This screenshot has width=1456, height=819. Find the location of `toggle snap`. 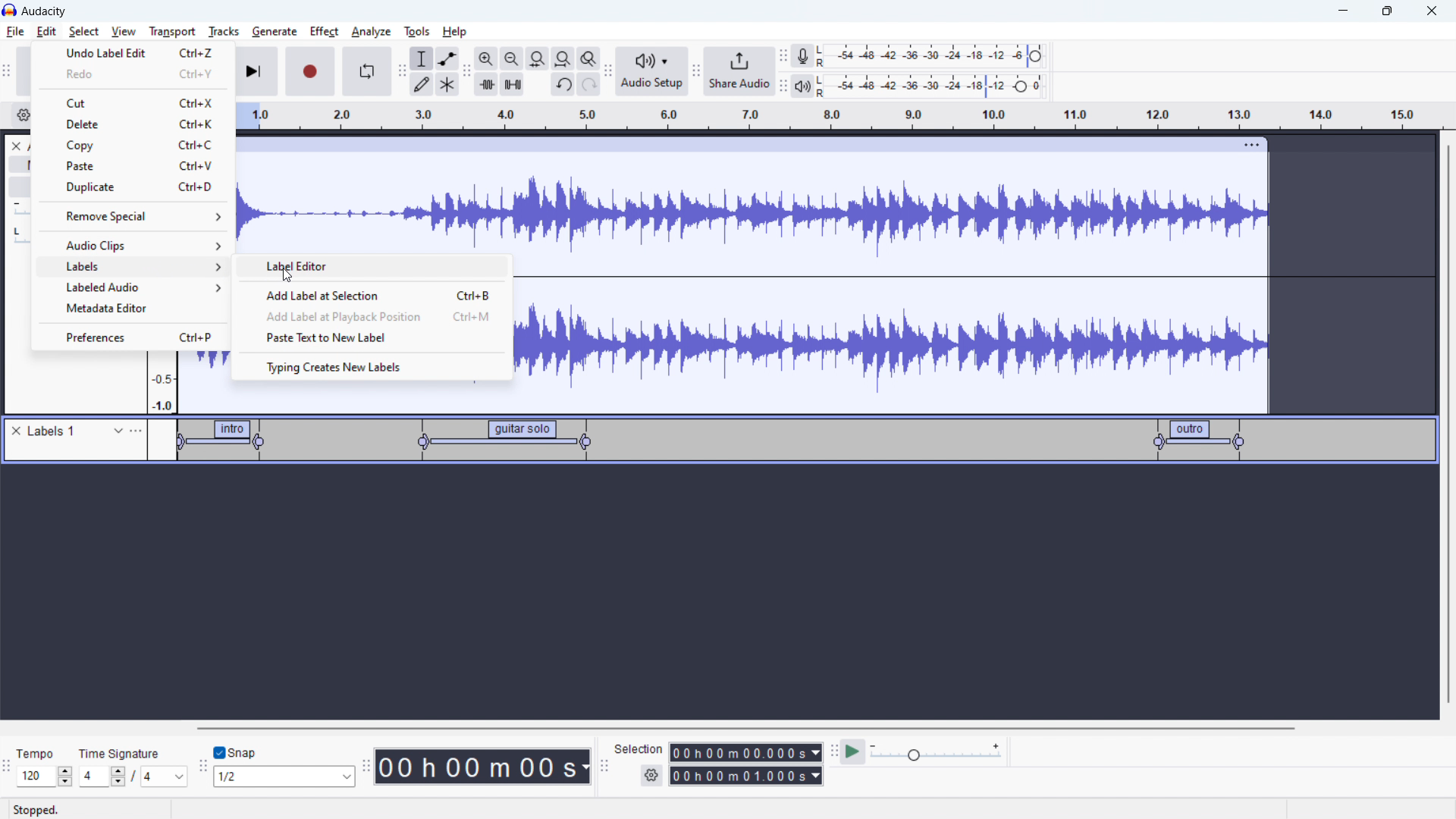

toggle snap is located at coordinates (236, 753).